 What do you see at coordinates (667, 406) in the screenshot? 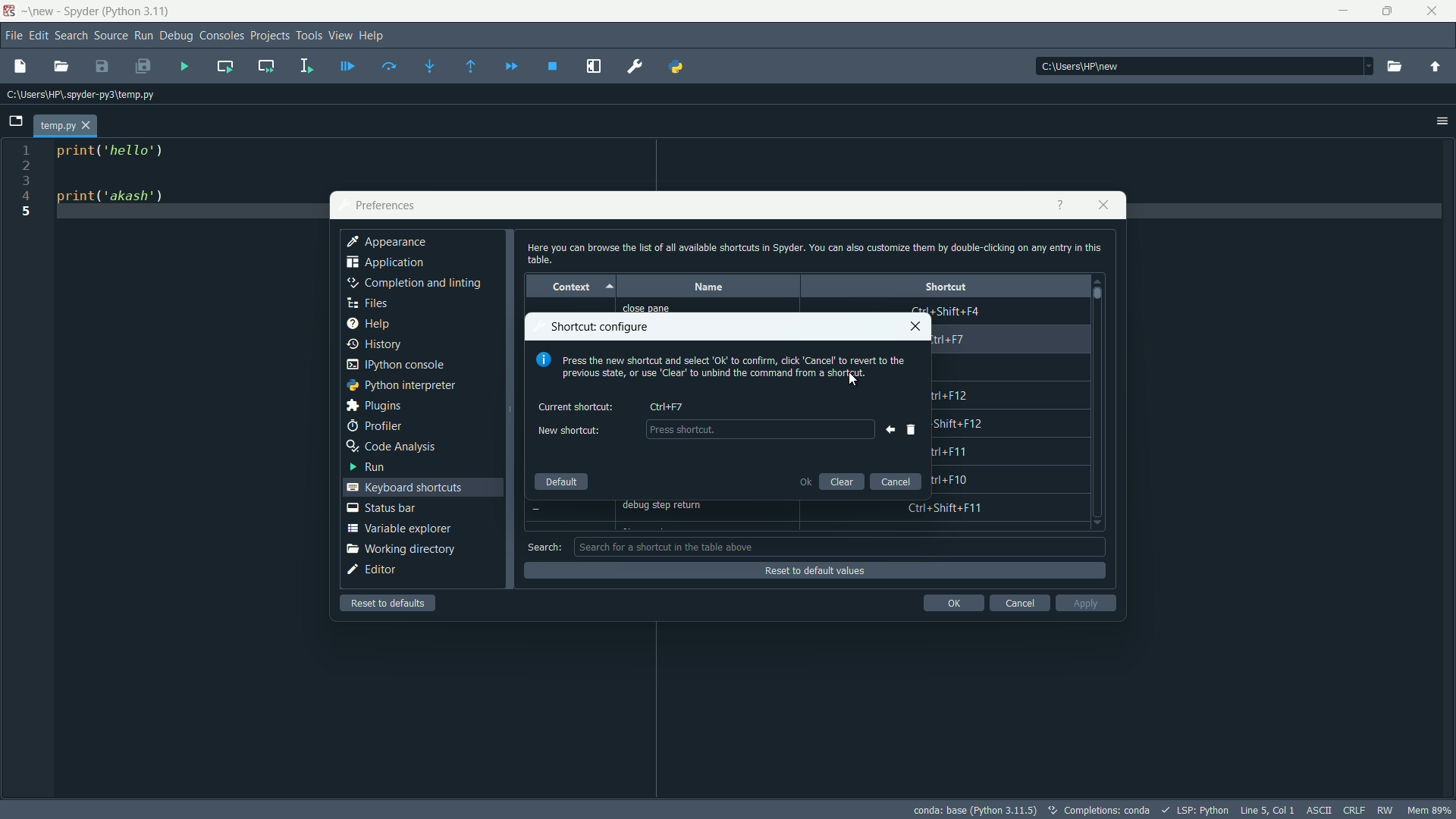
I see `keyboard shortcut` at bounding box center [667, 406].